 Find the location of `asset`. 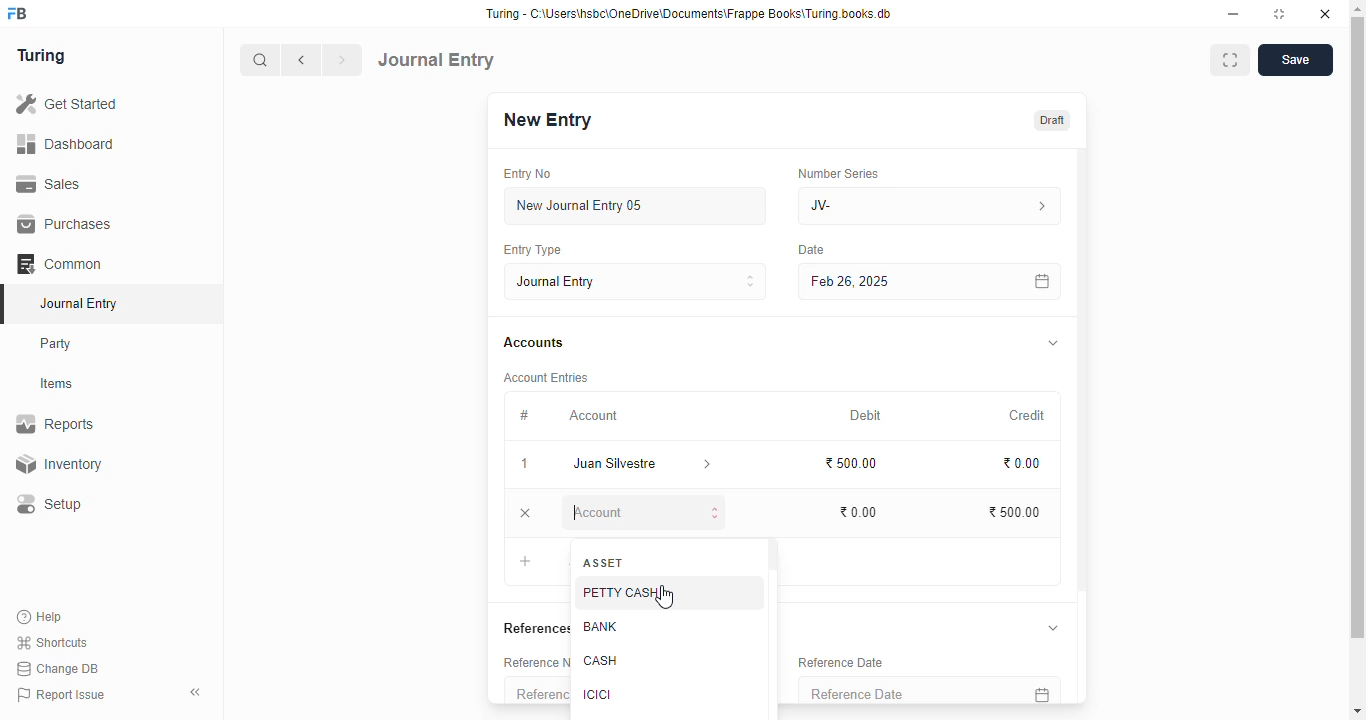

asset is located at coordinates (606, 563).